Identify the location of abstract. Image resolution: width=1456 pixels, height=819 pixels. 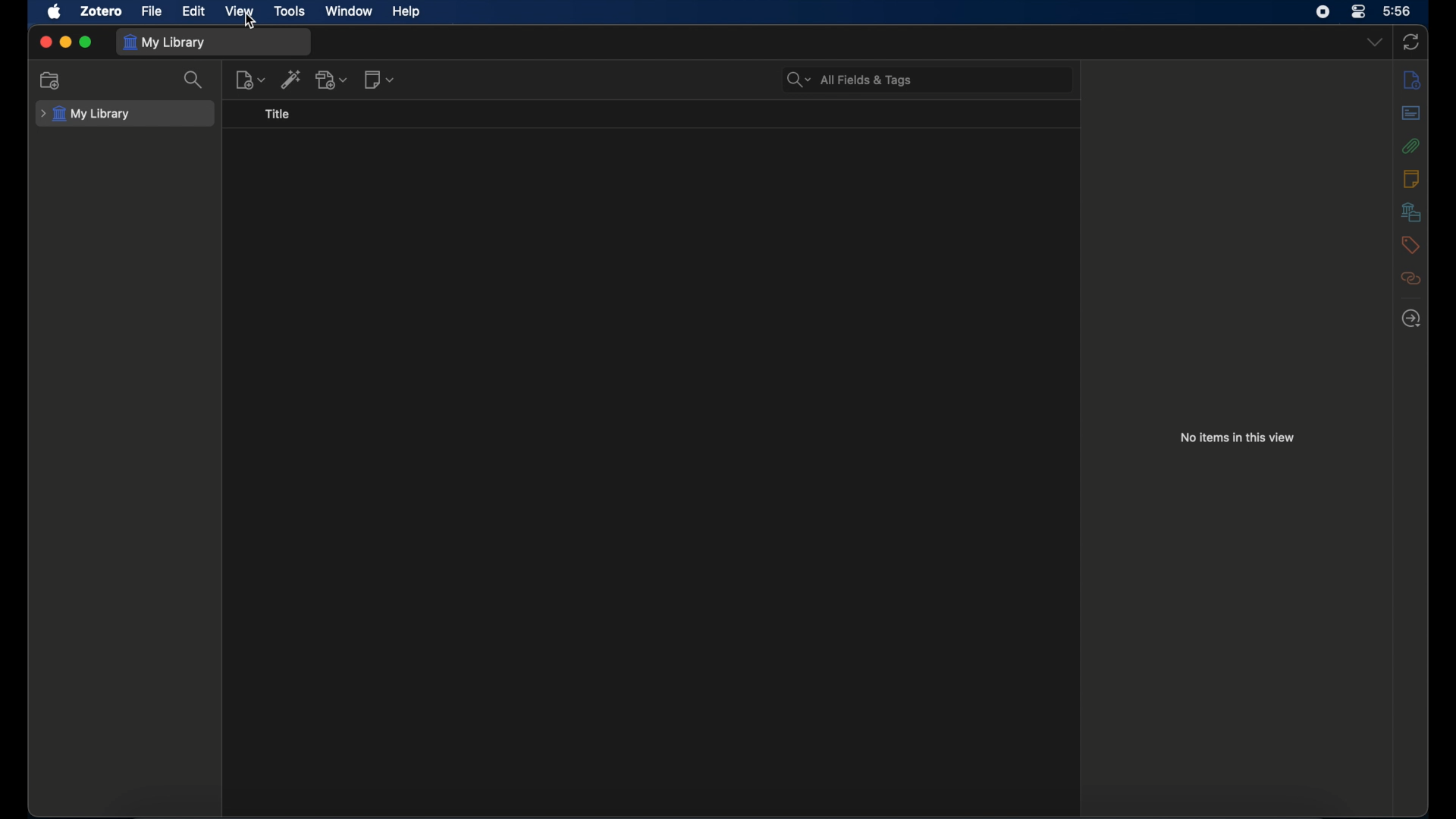
(1411, 112).